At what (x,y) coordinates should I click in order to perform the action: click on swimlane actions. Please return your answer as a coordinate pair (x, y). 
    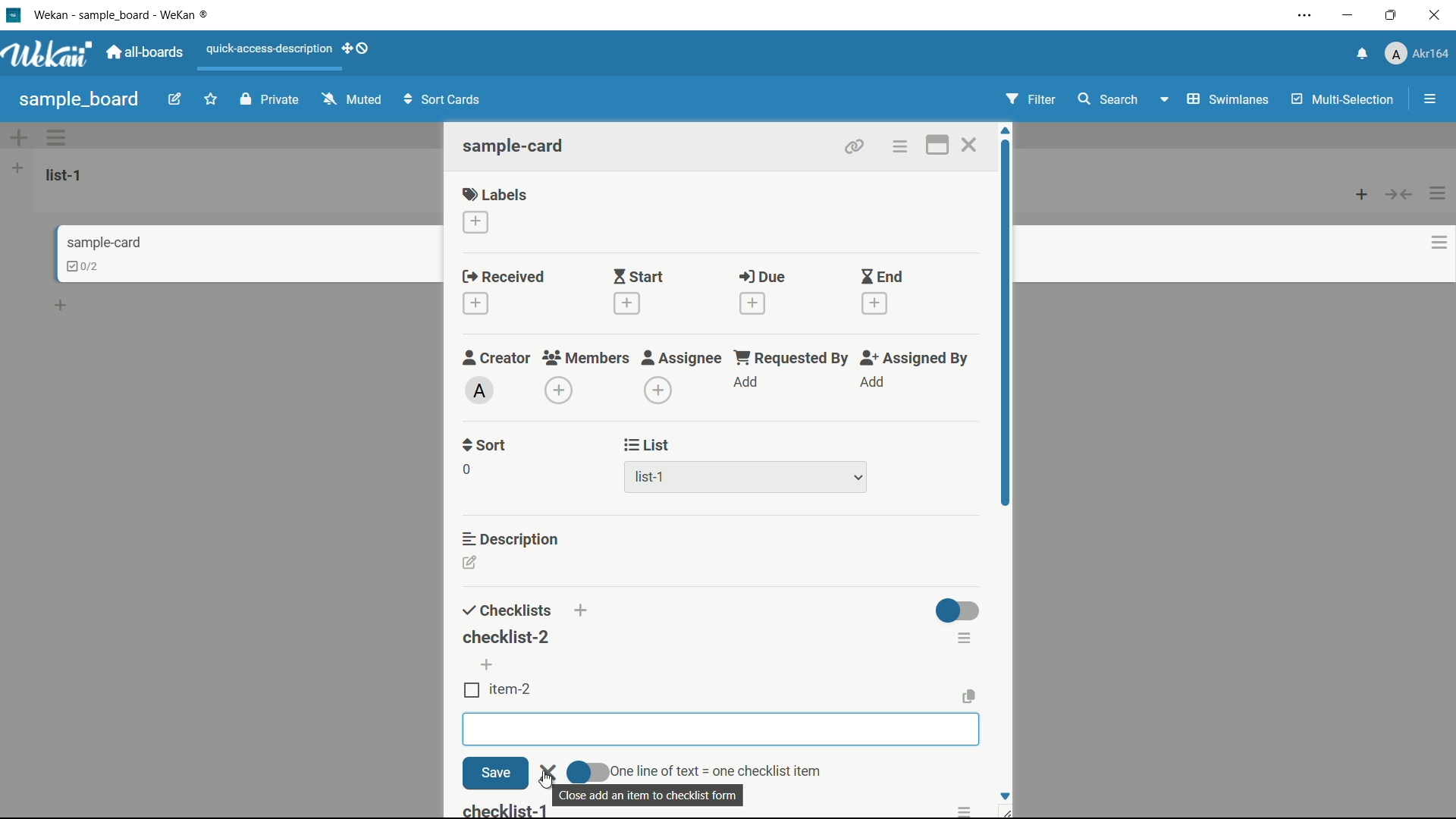
    Looking at the image, I should click on (58, 137).